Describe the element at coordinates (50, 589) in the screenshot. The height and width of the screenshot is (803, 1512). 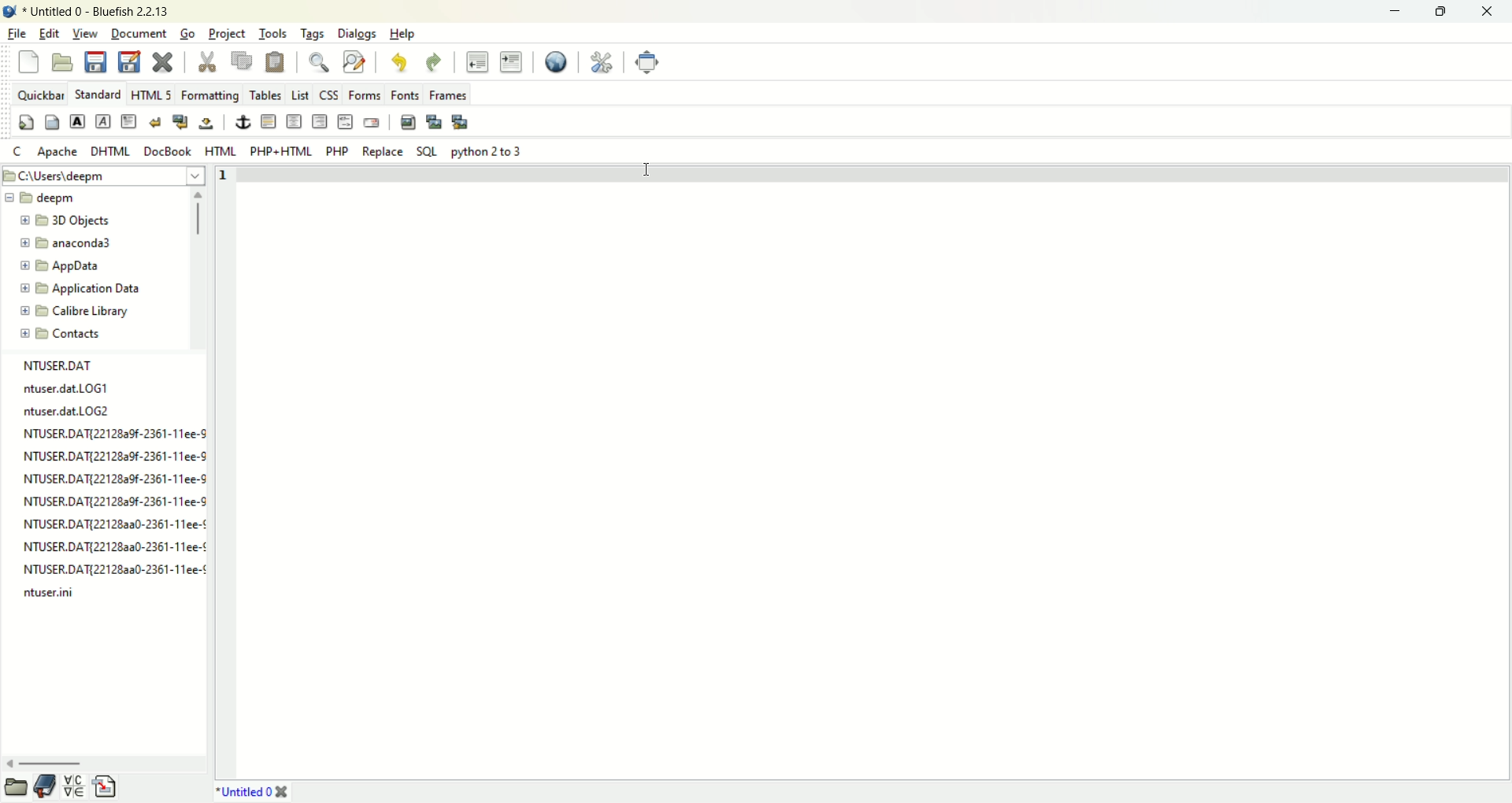
I see `ntuser.ini` at that location.